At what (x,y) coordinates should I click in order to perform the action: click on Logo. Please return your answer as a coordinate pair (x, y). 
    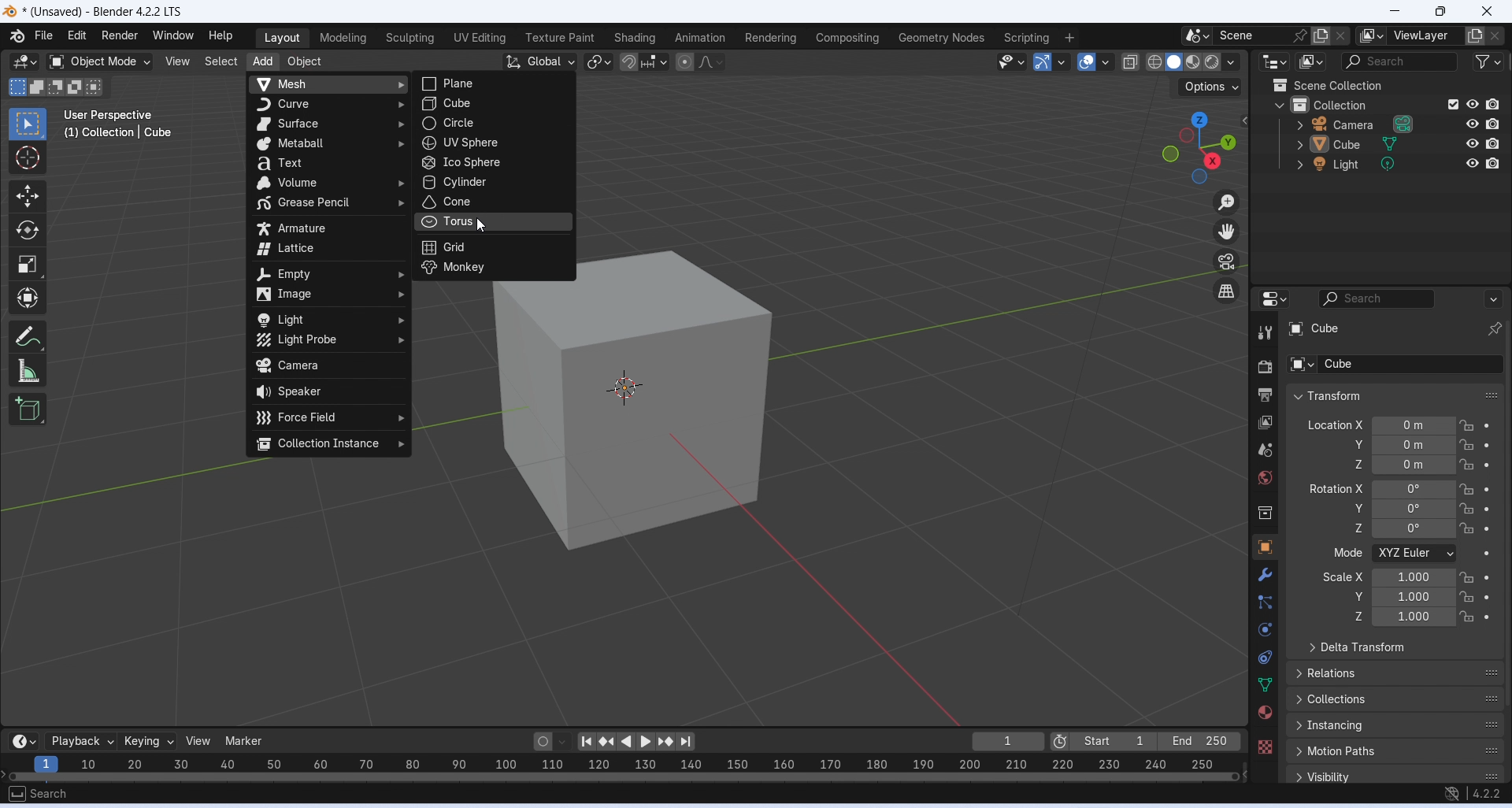
    Looking at the image, I should click on (16, 37).